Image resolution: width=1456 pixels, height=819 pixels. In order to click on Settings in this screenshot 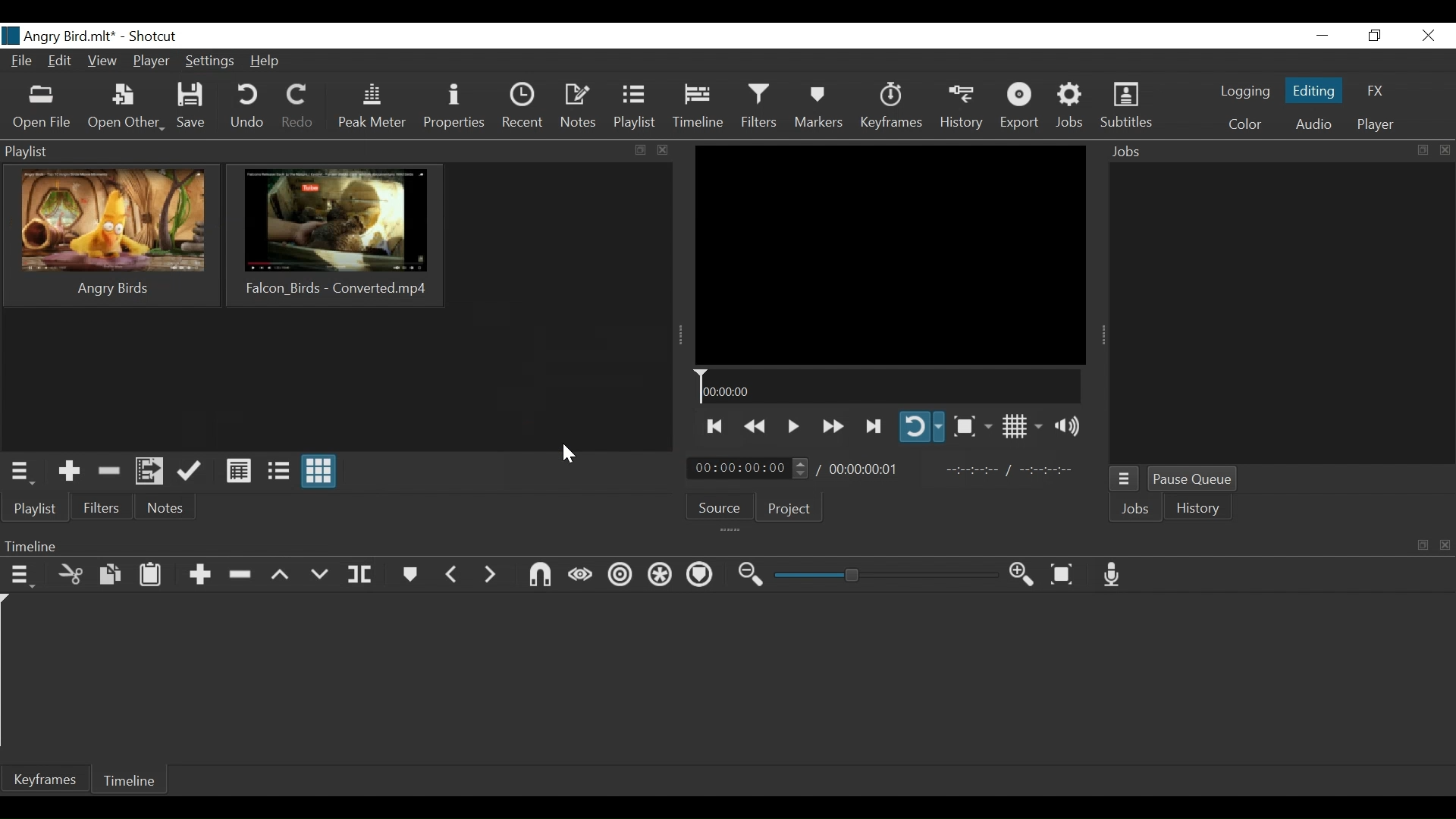, I will do `click(211, 60)`.